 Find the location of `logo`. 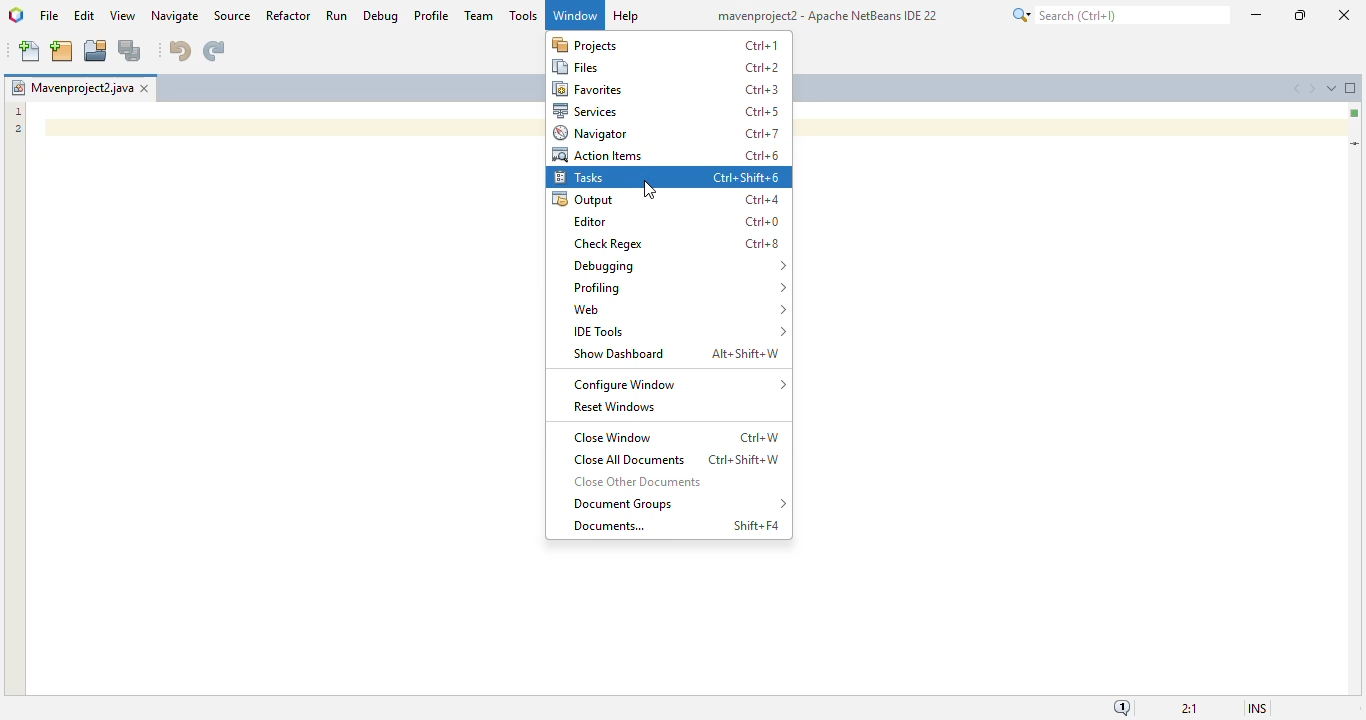

logo is located at coordinates (16, 15).